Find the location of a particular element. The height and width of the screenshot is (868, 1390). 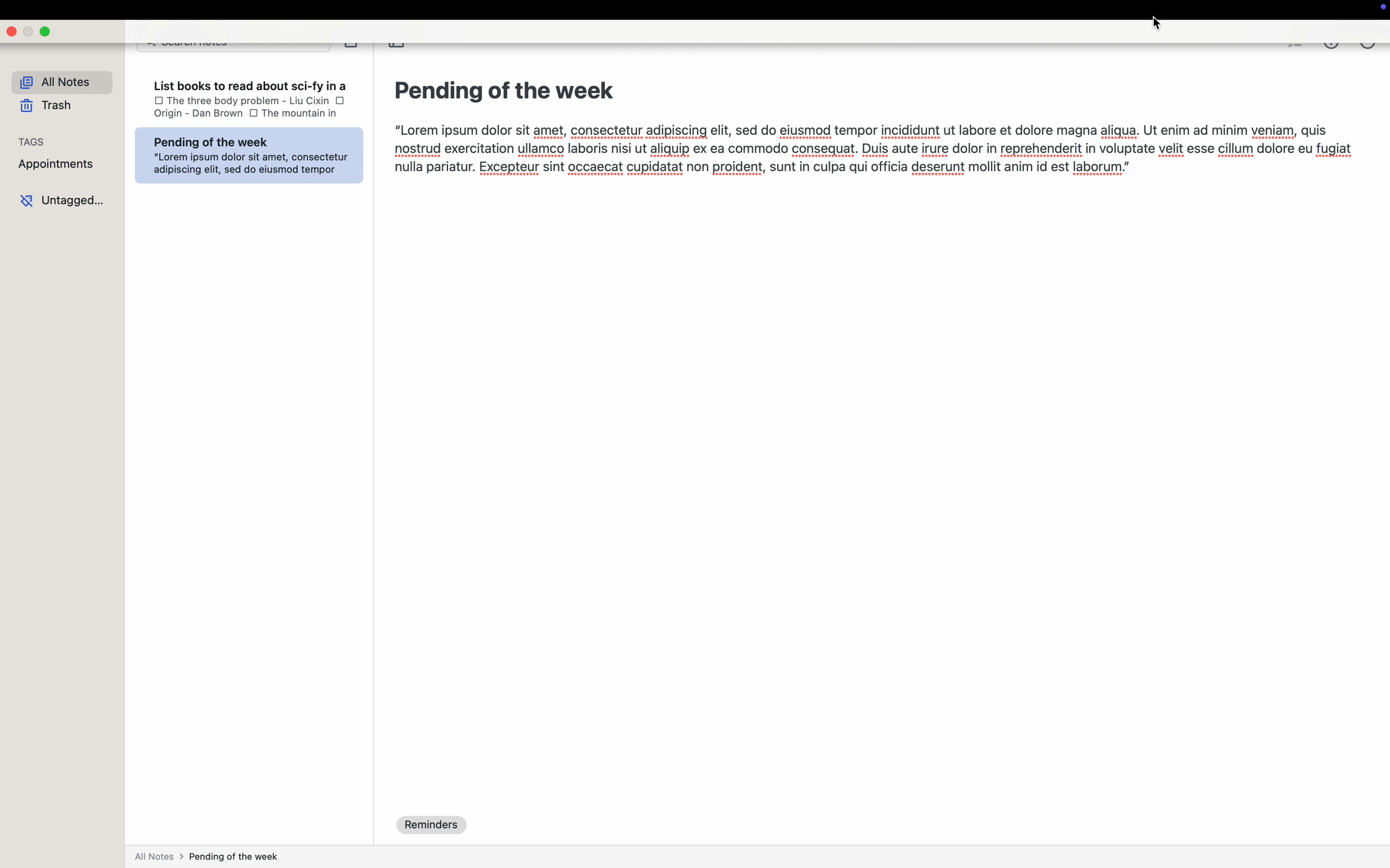

all notes > pending of the week is located at coordinates (207, 857).